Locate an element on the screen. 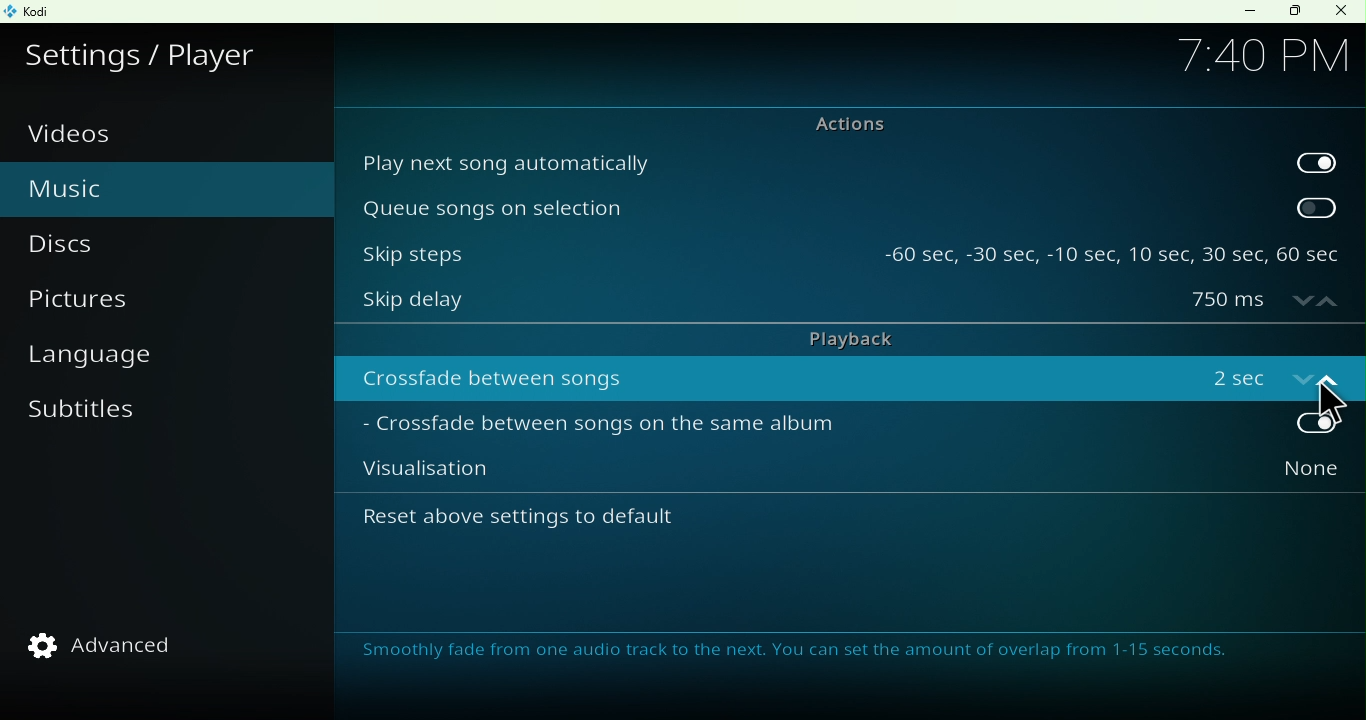 This screenshot has width=1366, height=720. Maximize is located at coordinates (1294, 12).